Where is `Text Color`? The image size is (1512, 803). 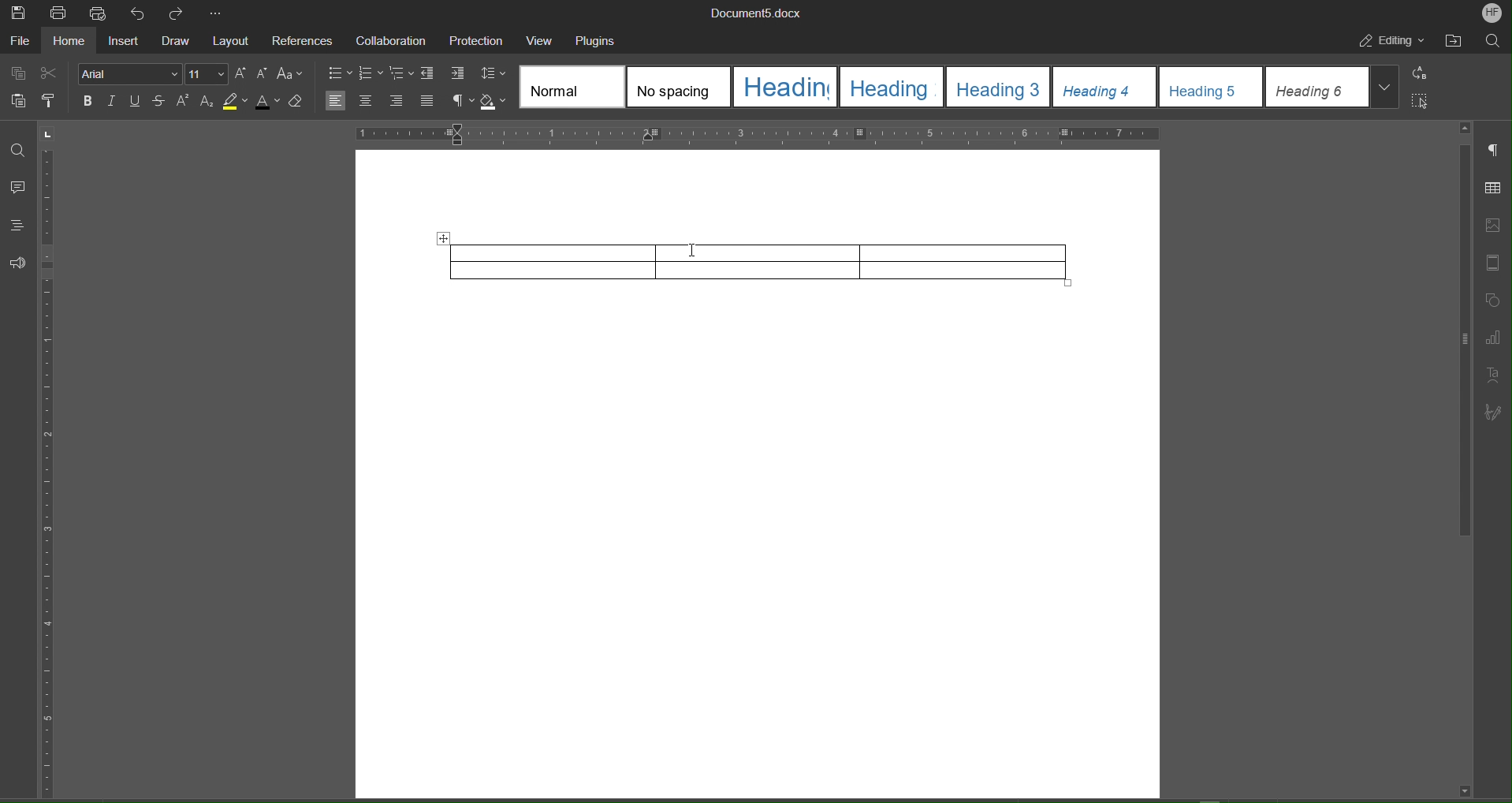
Text Color is located at coordinates (268, 101).